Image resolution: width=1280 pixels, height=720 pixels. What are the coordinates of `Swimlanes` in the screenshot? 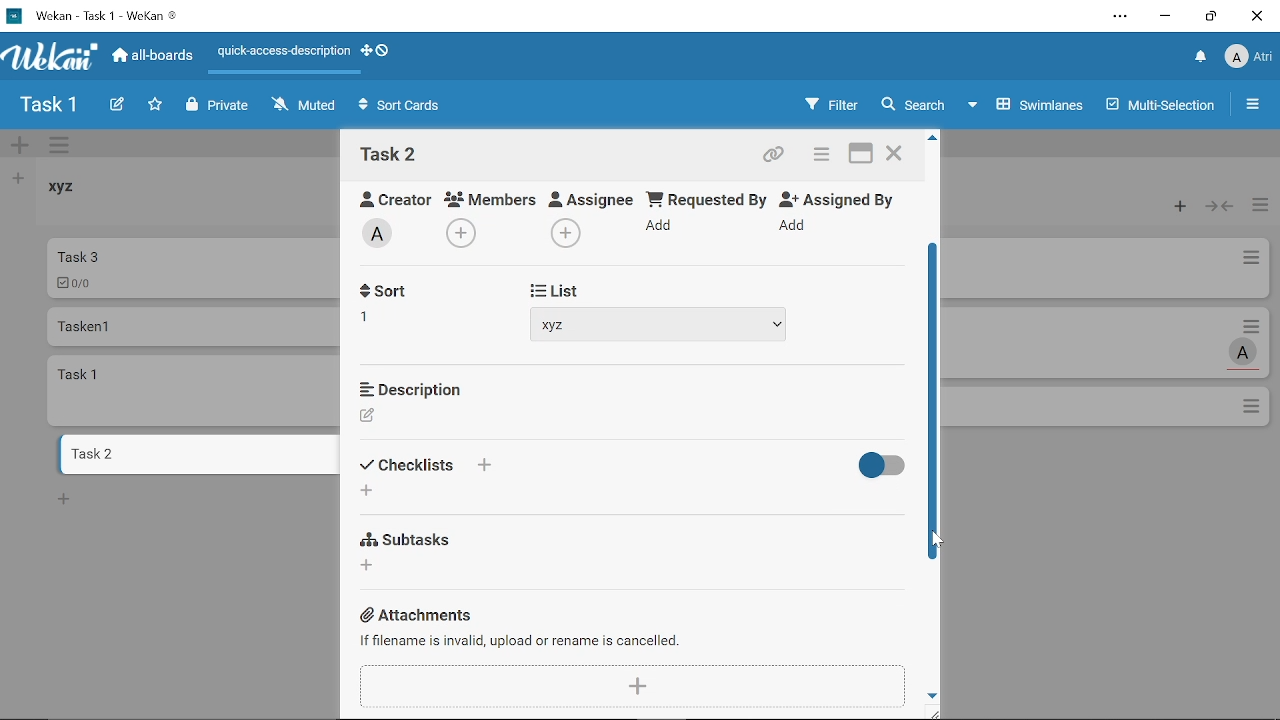 It's located at (1028, 103).